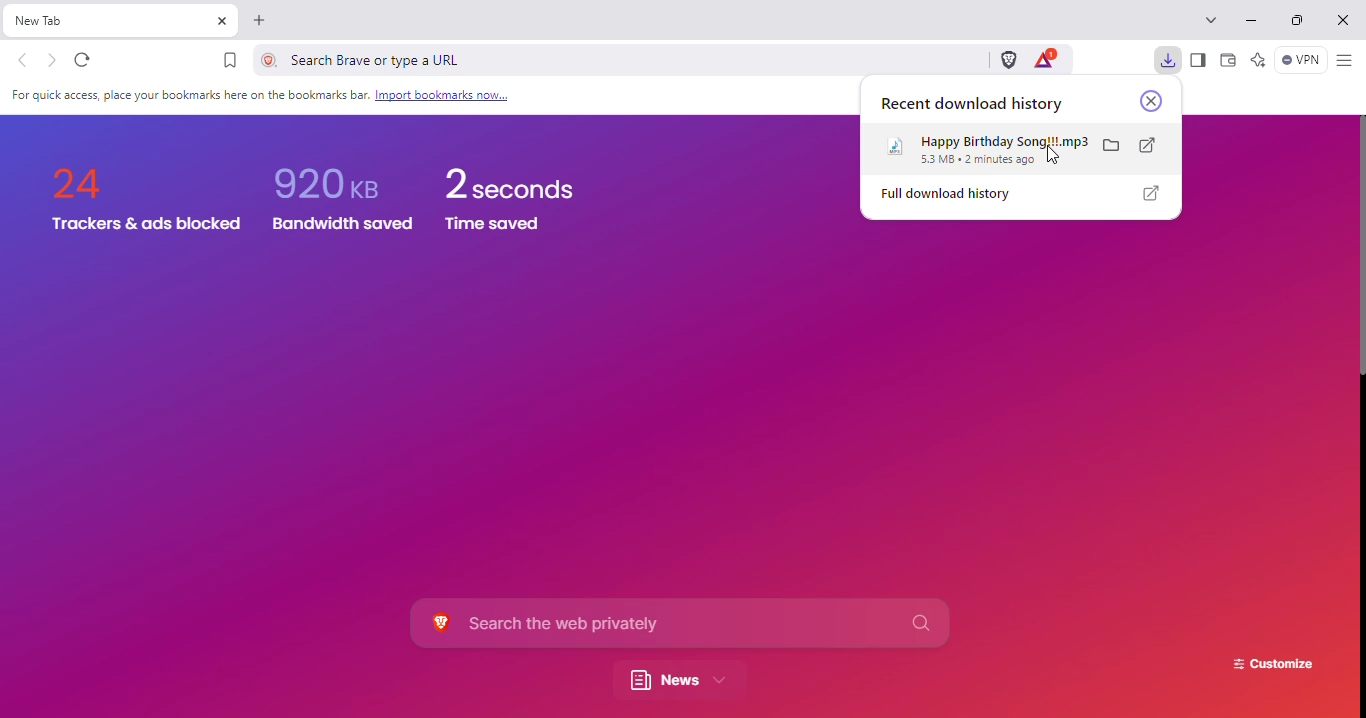 This screenshot has height=718, width=1366. What do you see at coordinates (330, 177) in the screenshot?
I see `920 KB Bandwidth saved` at bounding box center [330, 177].